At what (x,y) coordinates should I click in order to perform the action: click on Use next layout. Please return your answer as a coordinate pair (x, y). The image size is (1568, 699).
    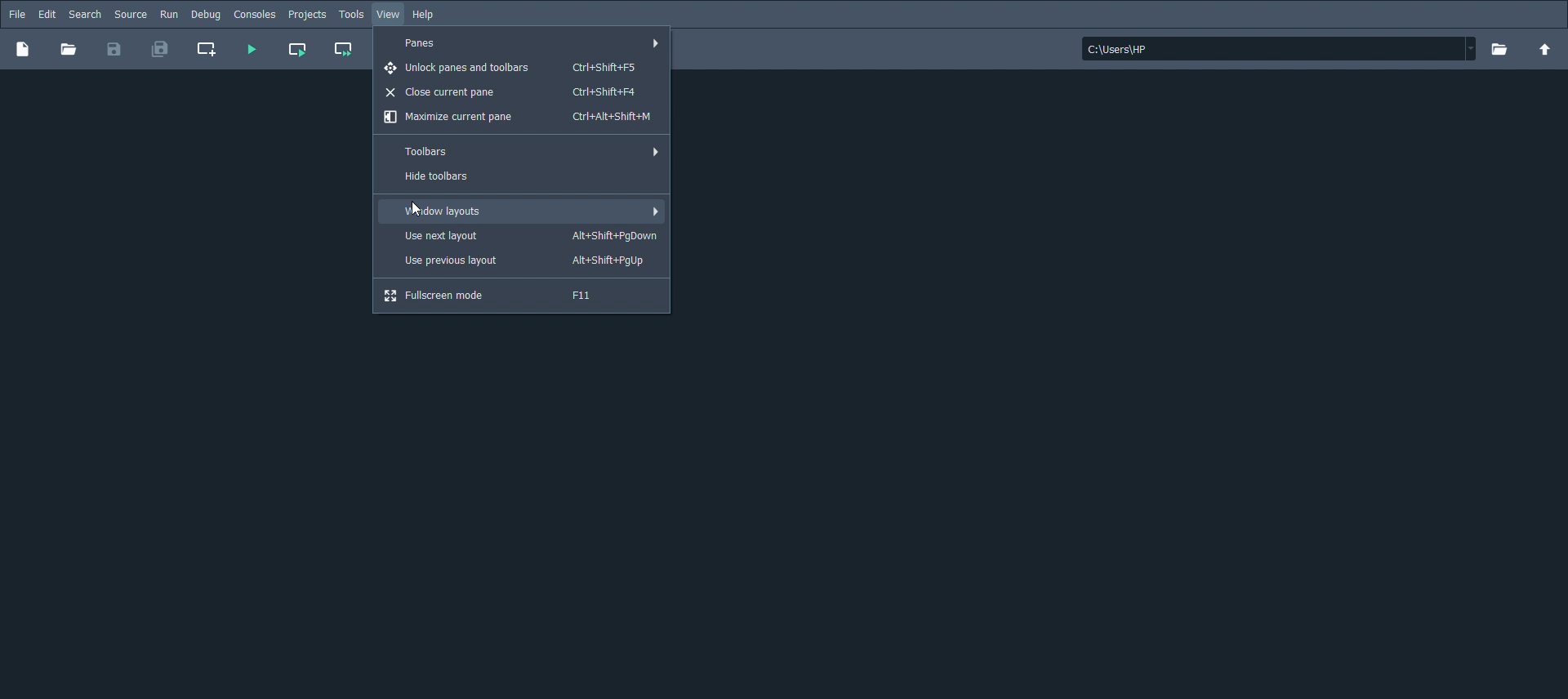
    Looking at the image, I should click on (523, 234).